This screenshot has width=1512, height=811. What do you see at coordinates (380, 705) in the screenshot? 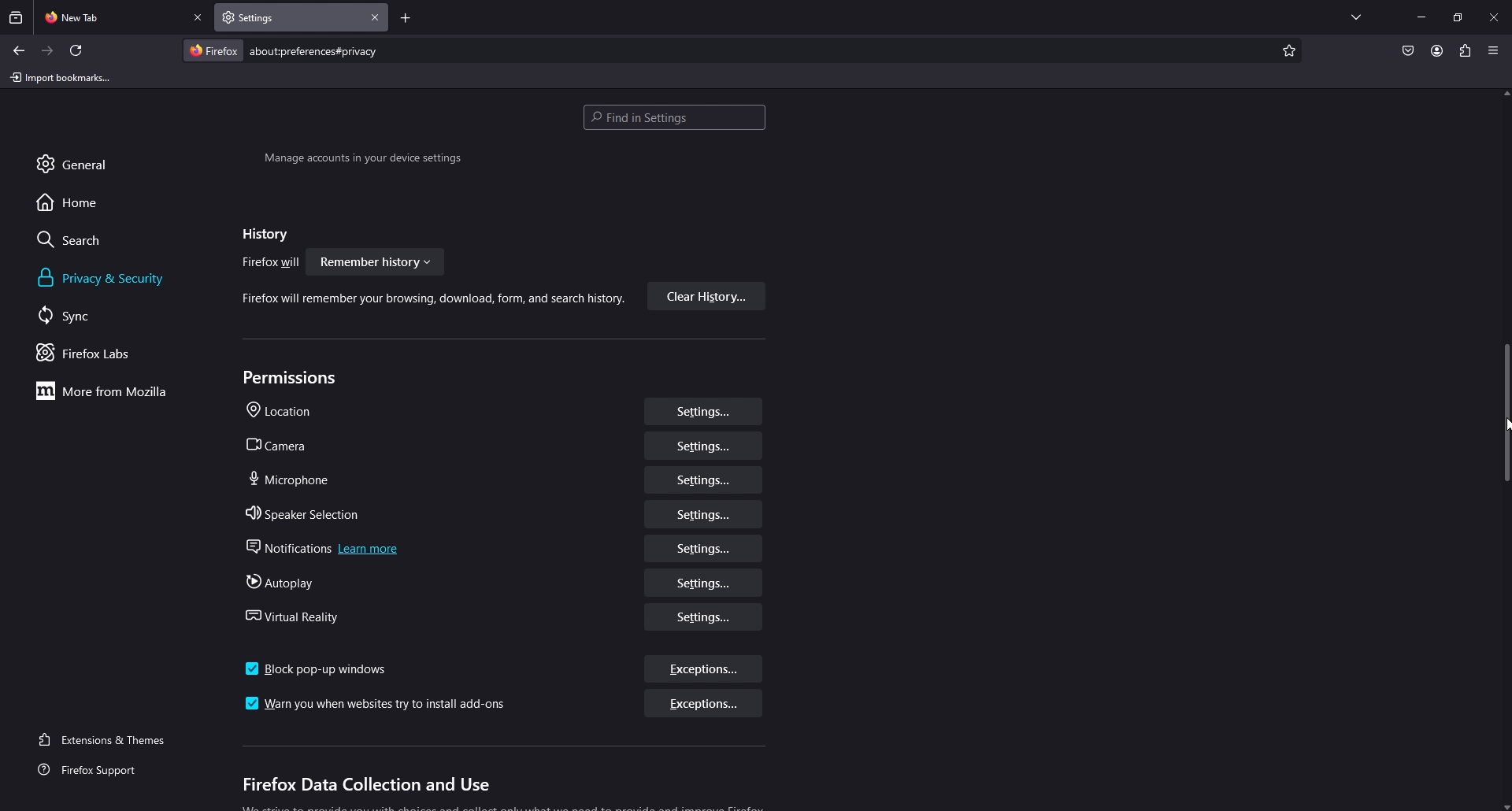
I see `warn you when websites try install add ons` at bounding box center [380, 705].